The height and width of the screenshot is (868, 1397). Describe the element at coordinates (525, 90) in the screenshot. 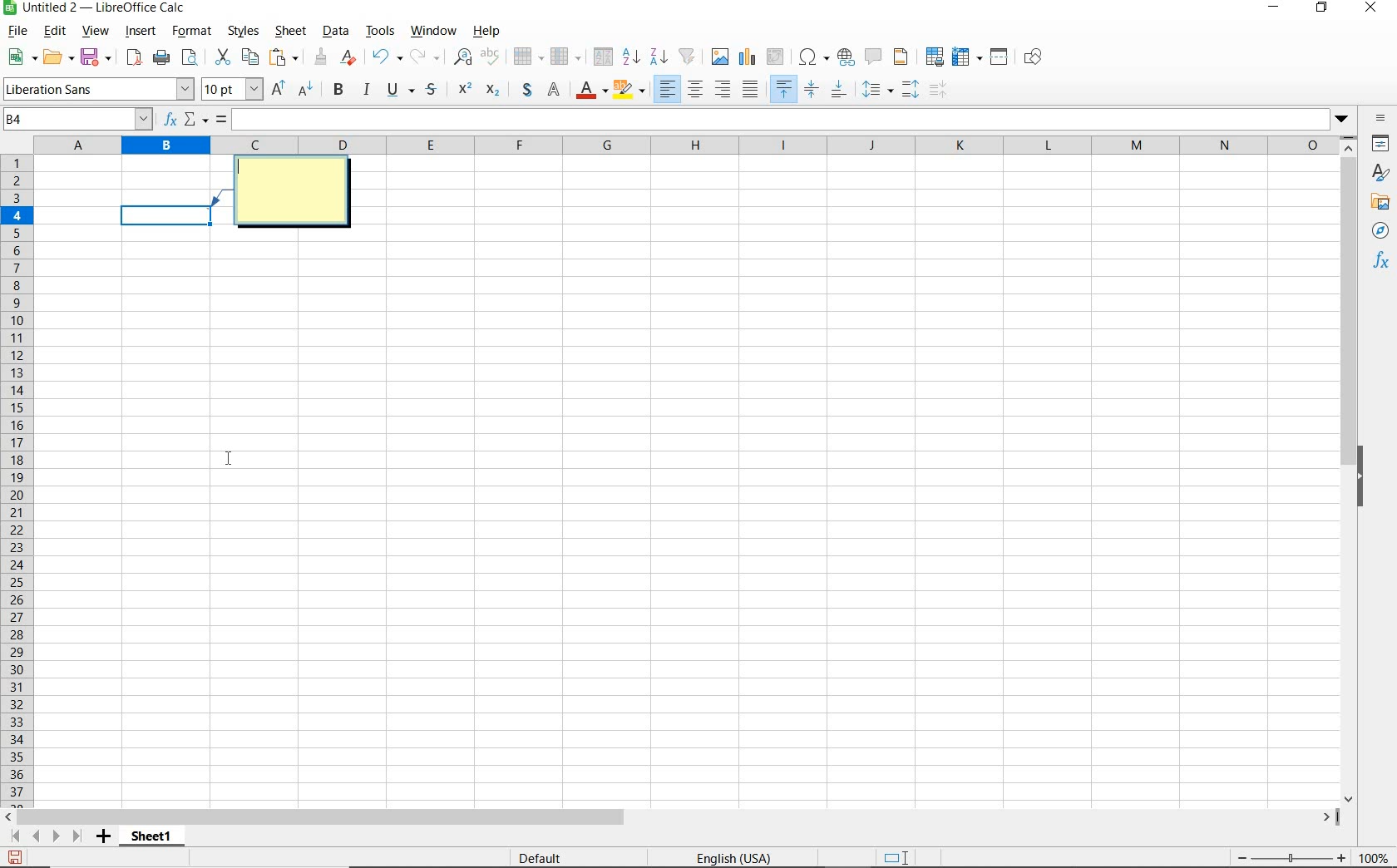

I see `special mathematical symbol` at that location.